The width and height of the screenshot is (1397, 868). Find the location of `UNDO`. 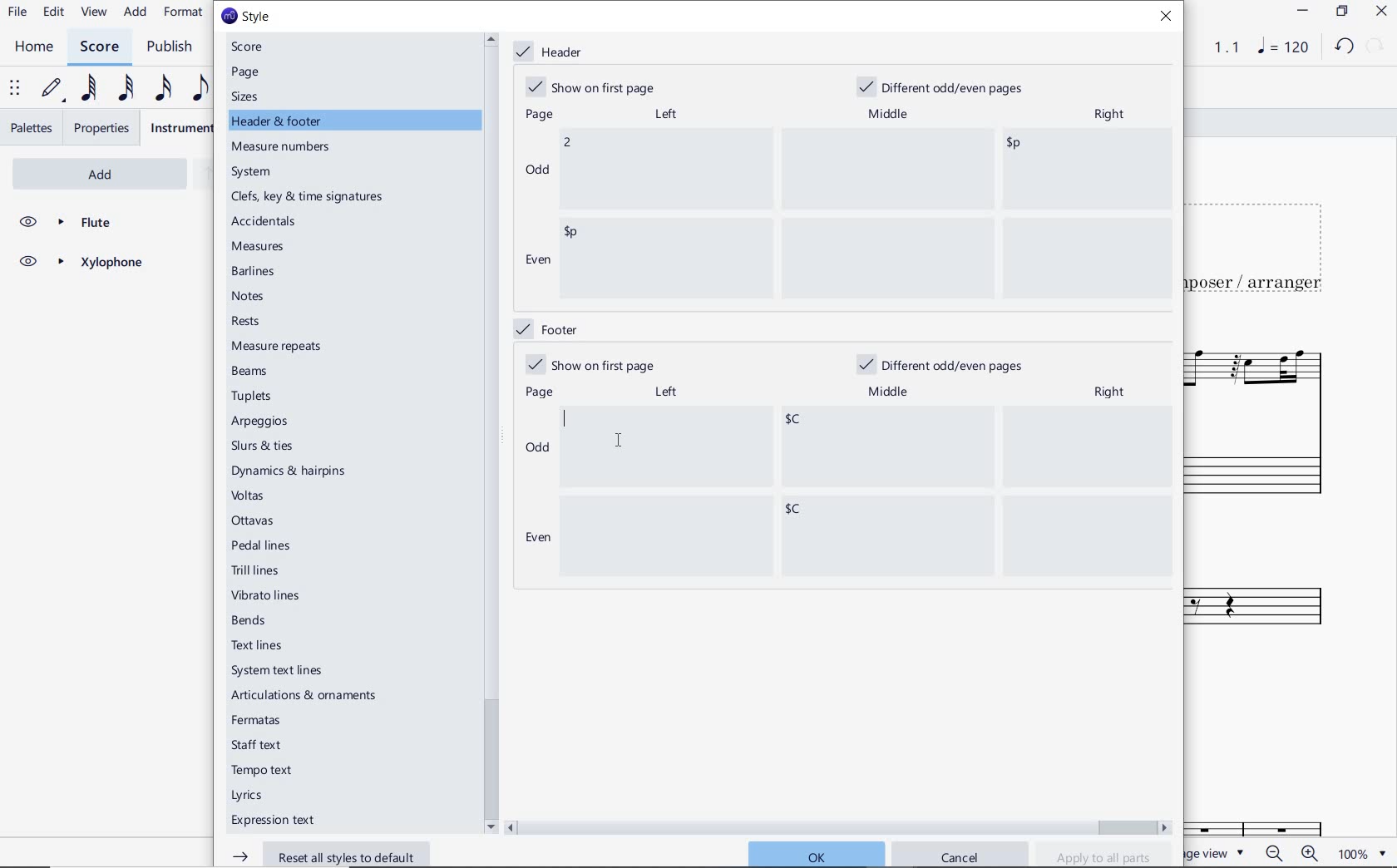

UNDO is located at coordinates (1343, 47).